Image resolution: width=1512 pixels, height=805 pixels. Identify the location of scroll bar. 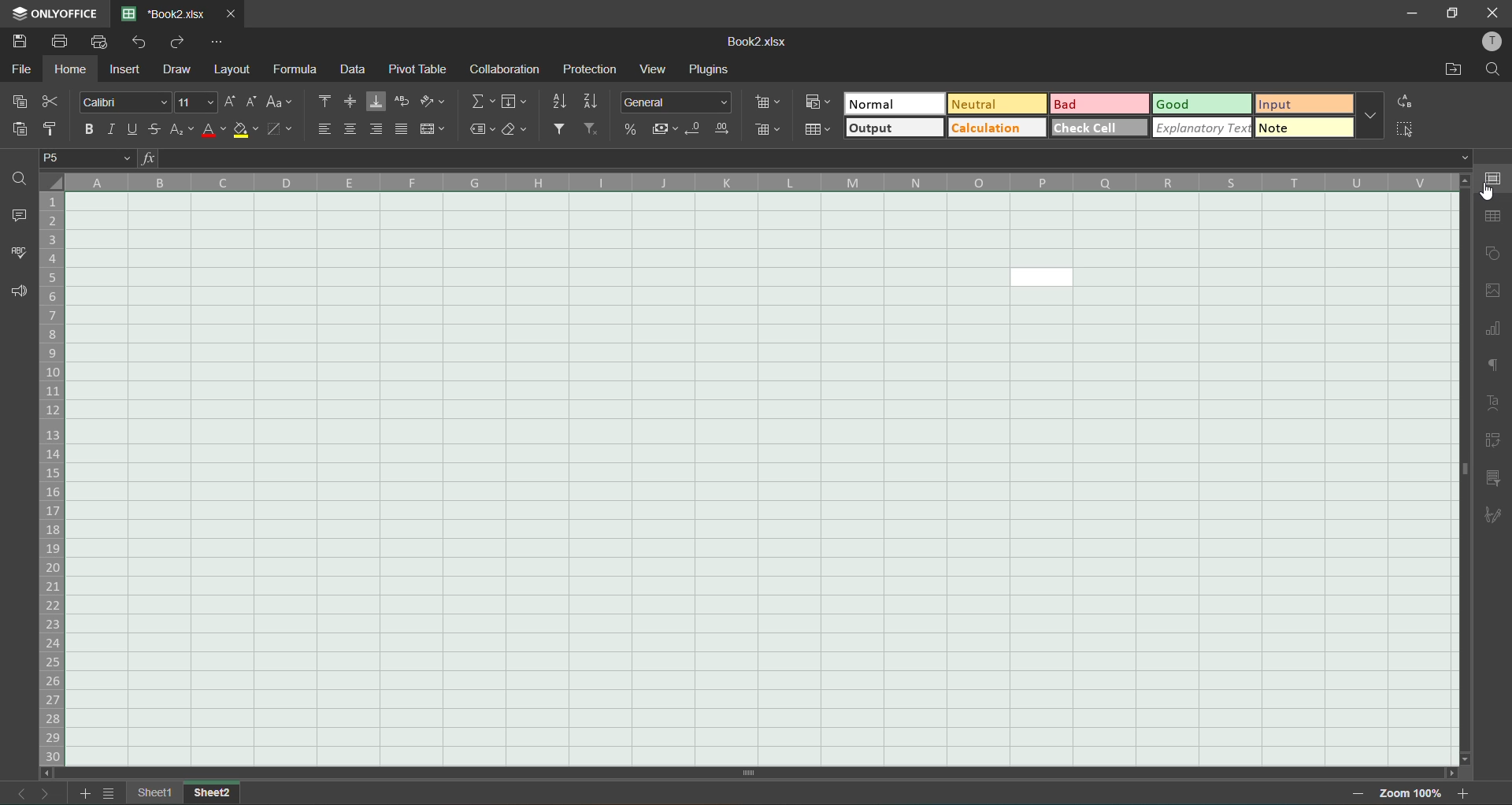
(754, 771).